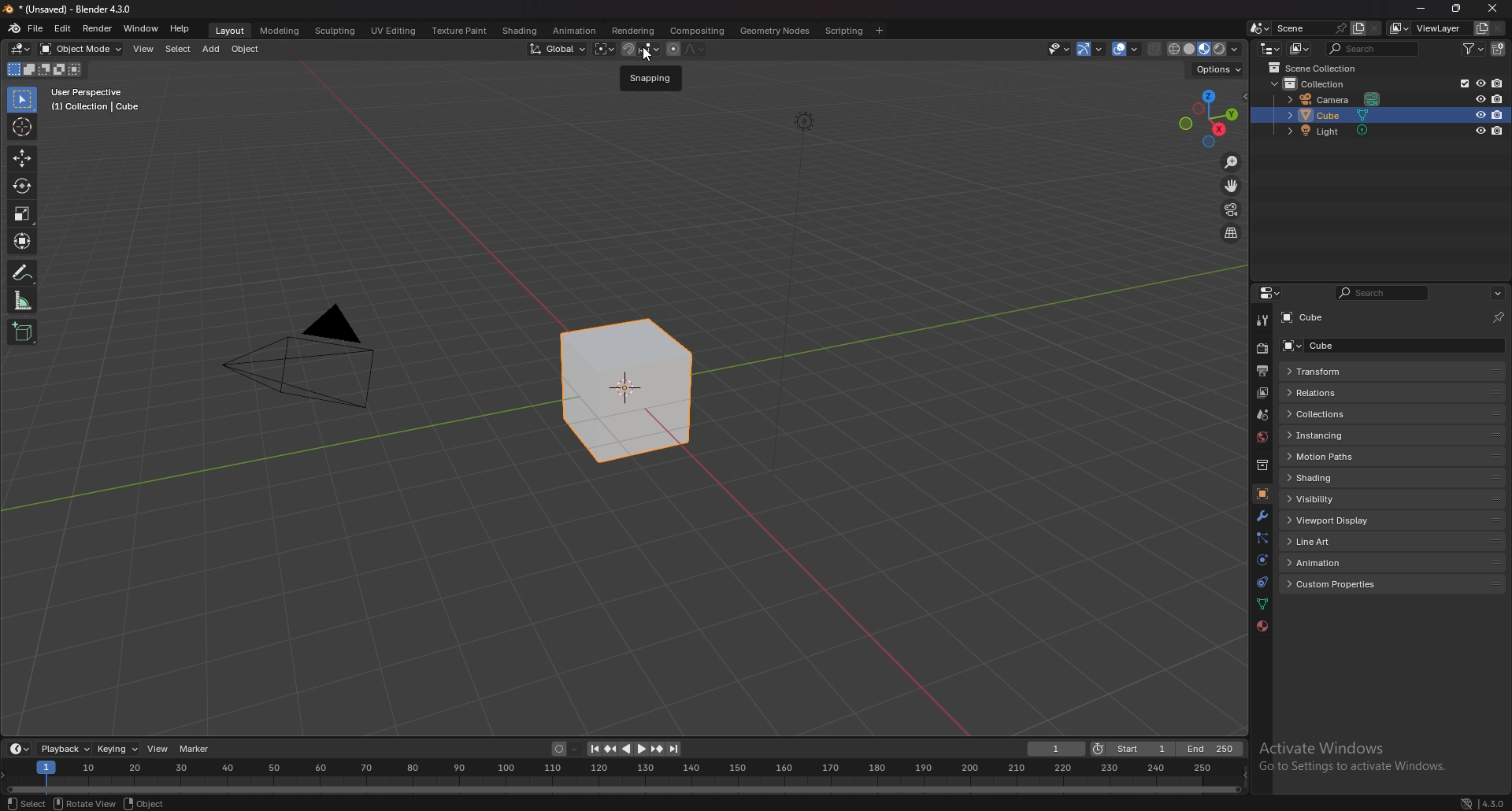 This screenshot has height=811, width=1512. Describe the element at coordinates (43, 70) in the screenshot. I see `mode` at that location.